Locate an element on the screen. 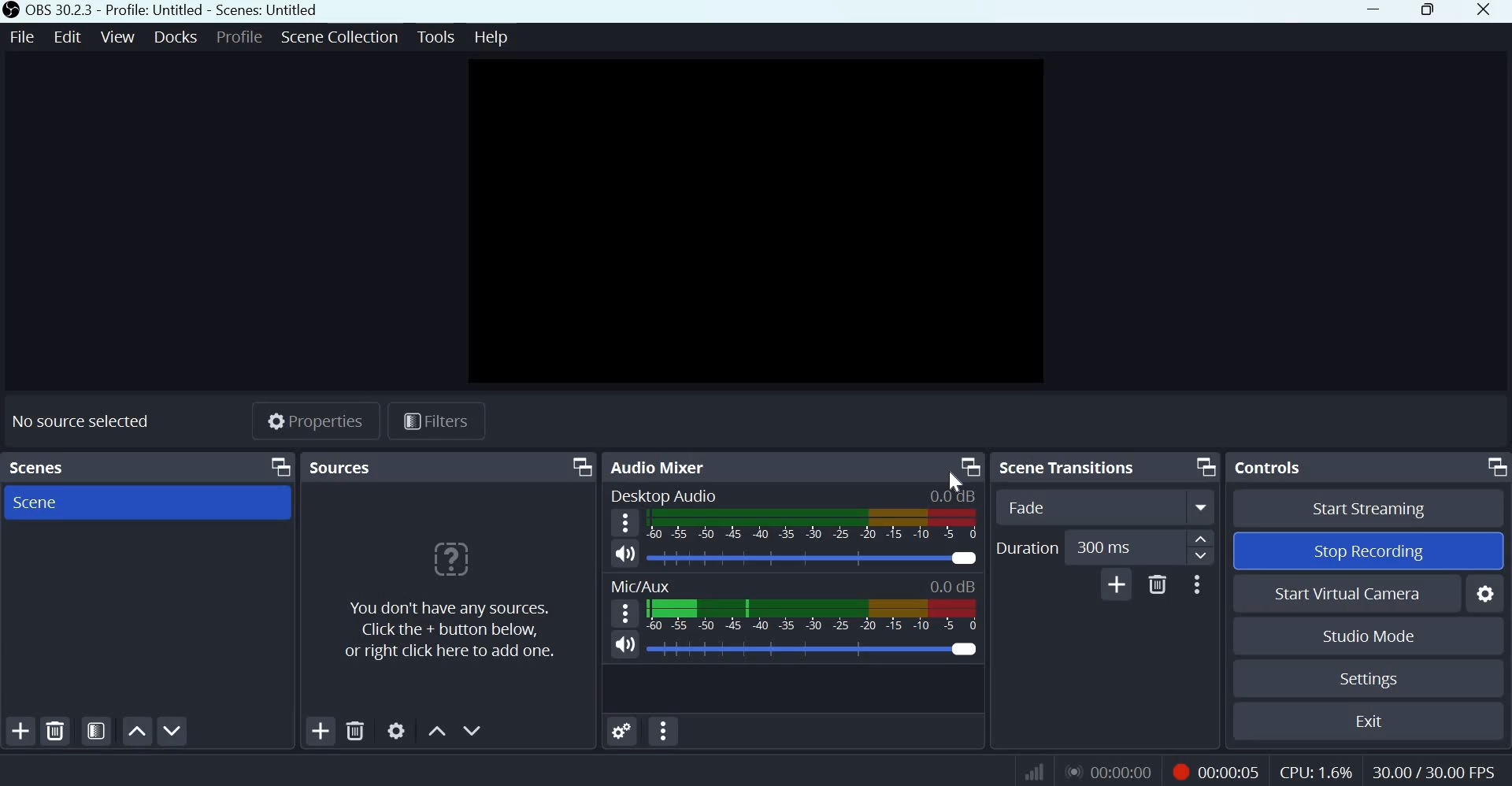 Image resolution: width=1512 pixels, height=786 pixels. Desktop Audio is located at coordinates (664, 496).